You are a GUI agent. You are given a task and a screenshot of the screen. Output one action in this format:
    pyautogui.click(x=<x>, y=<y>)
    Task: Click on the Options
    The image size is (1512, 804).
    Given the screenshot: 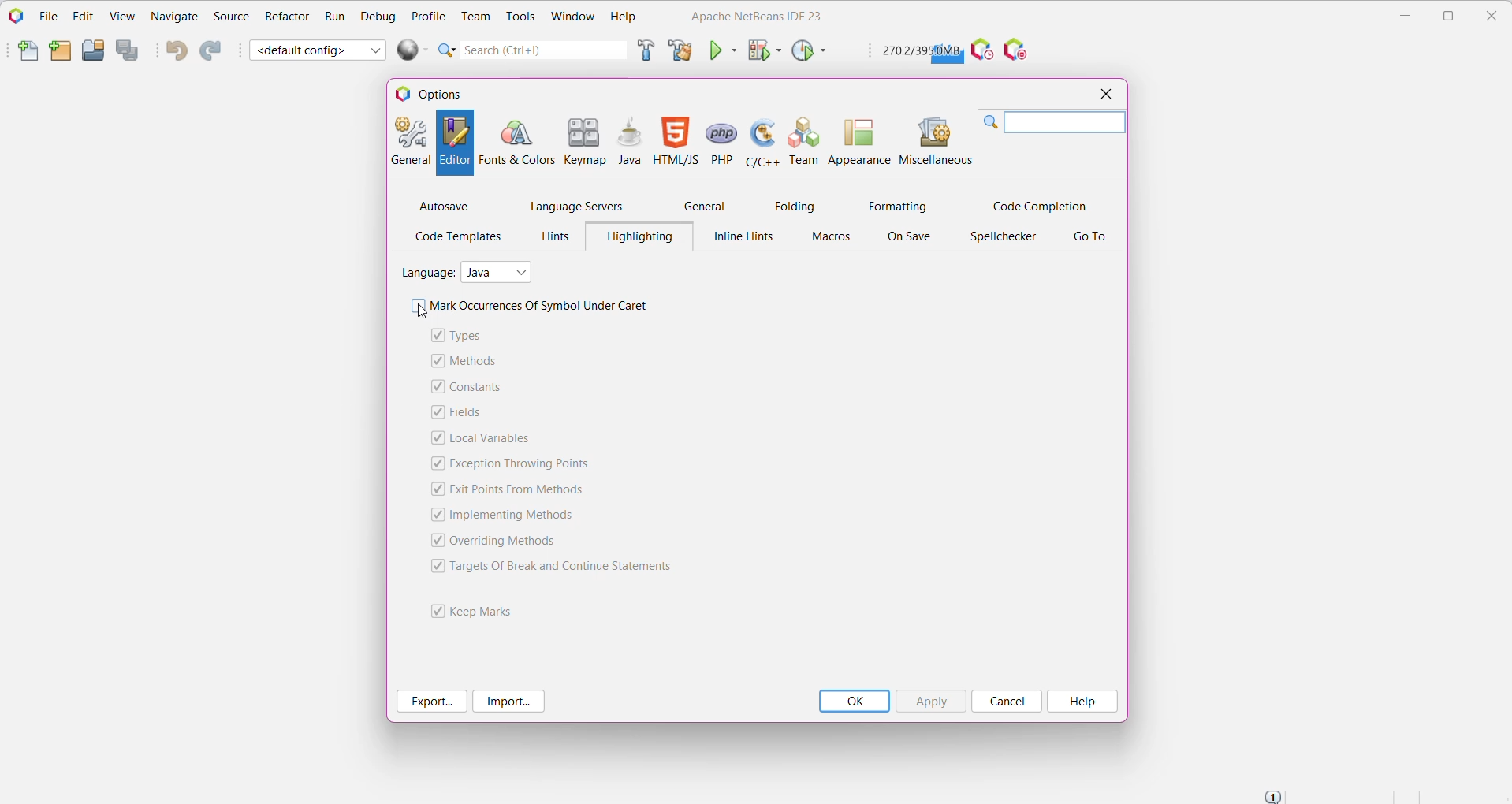 What is the action you would take?
    pyautogui.click(x=448, y=94)
    